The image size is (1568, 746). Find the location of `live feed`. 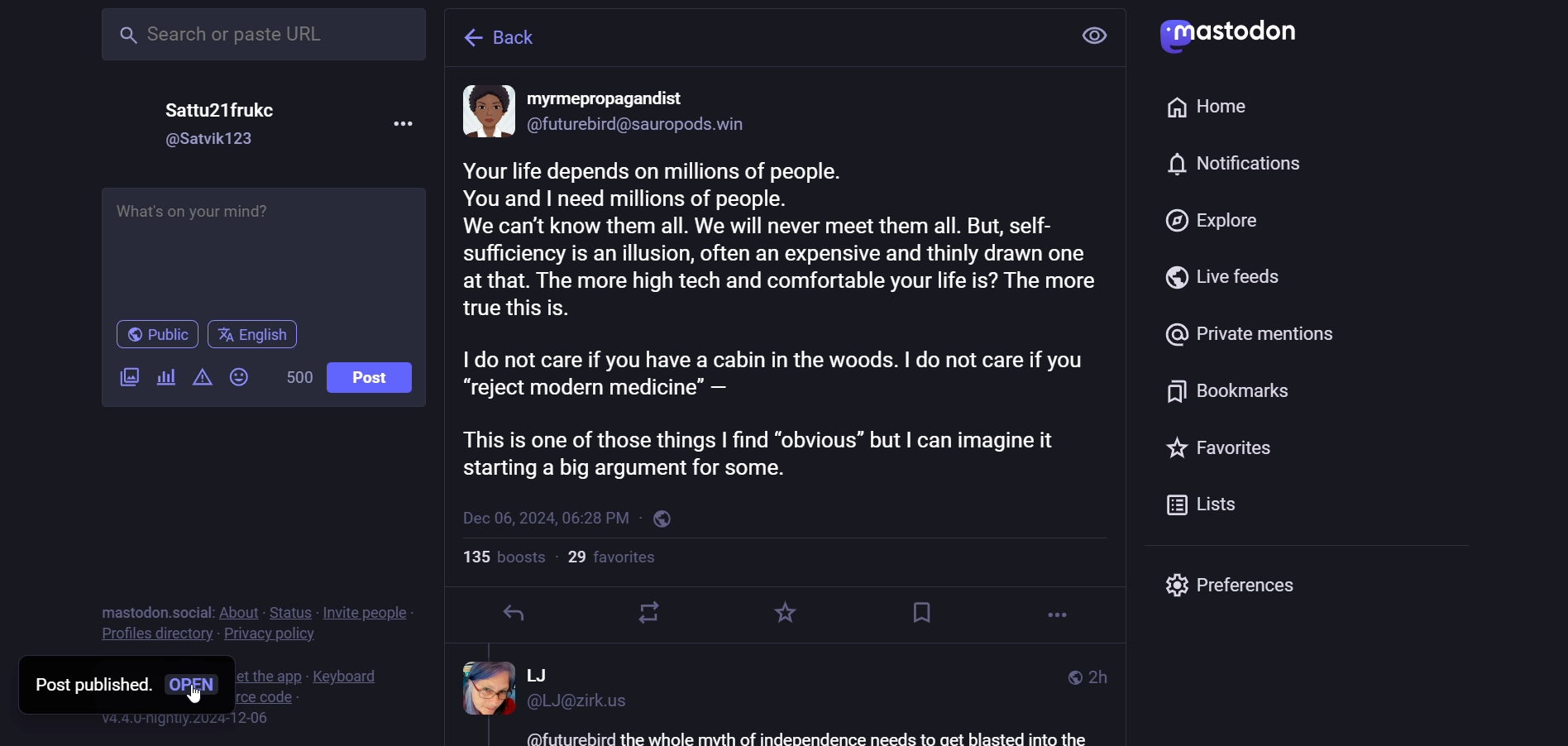

live feed is located at coordinates (1224, 276).